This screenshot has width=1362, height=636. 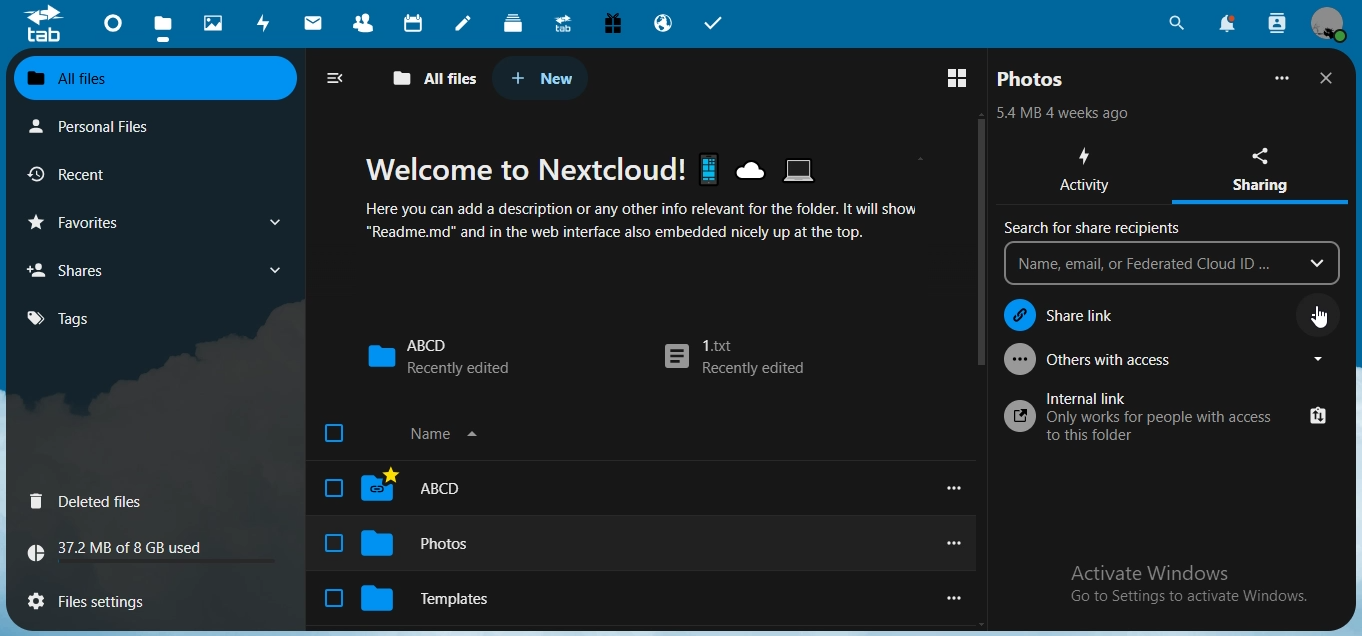 I want to click on photos, so click(x=216, y=24).